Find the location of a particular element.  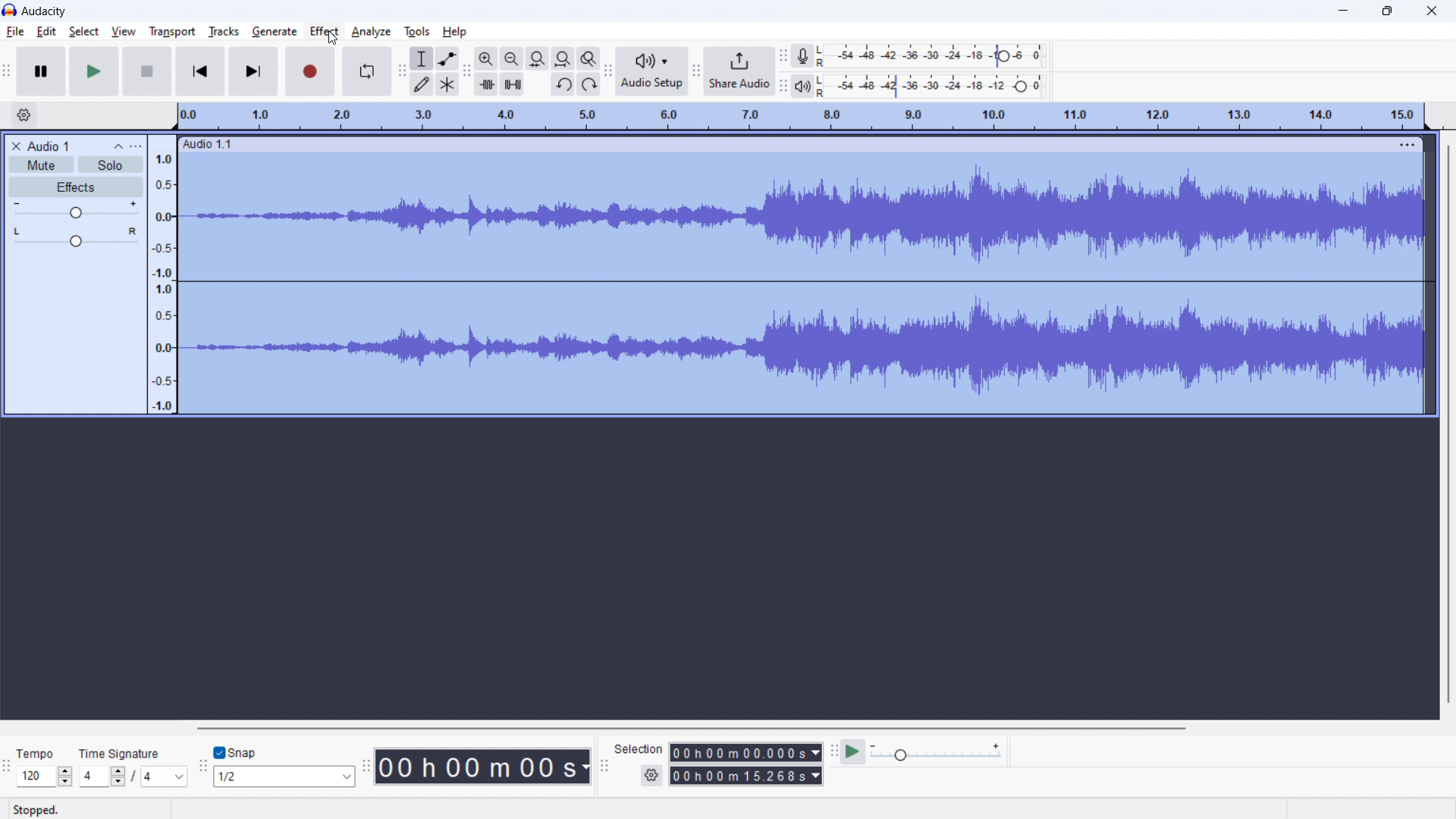

stop is located at coordinates (147, 71).